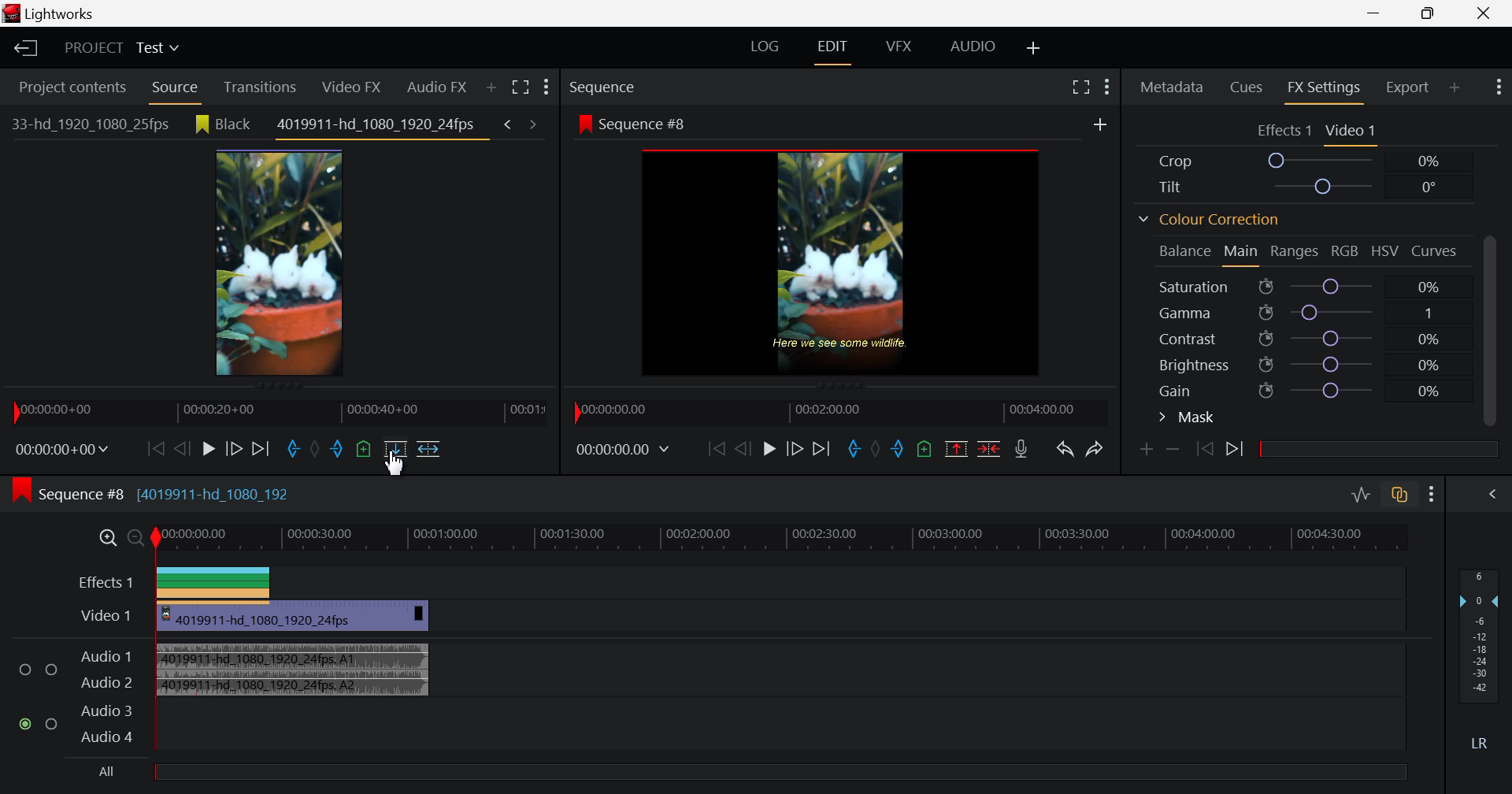  I want to click on Mask, so click(1189, 417).